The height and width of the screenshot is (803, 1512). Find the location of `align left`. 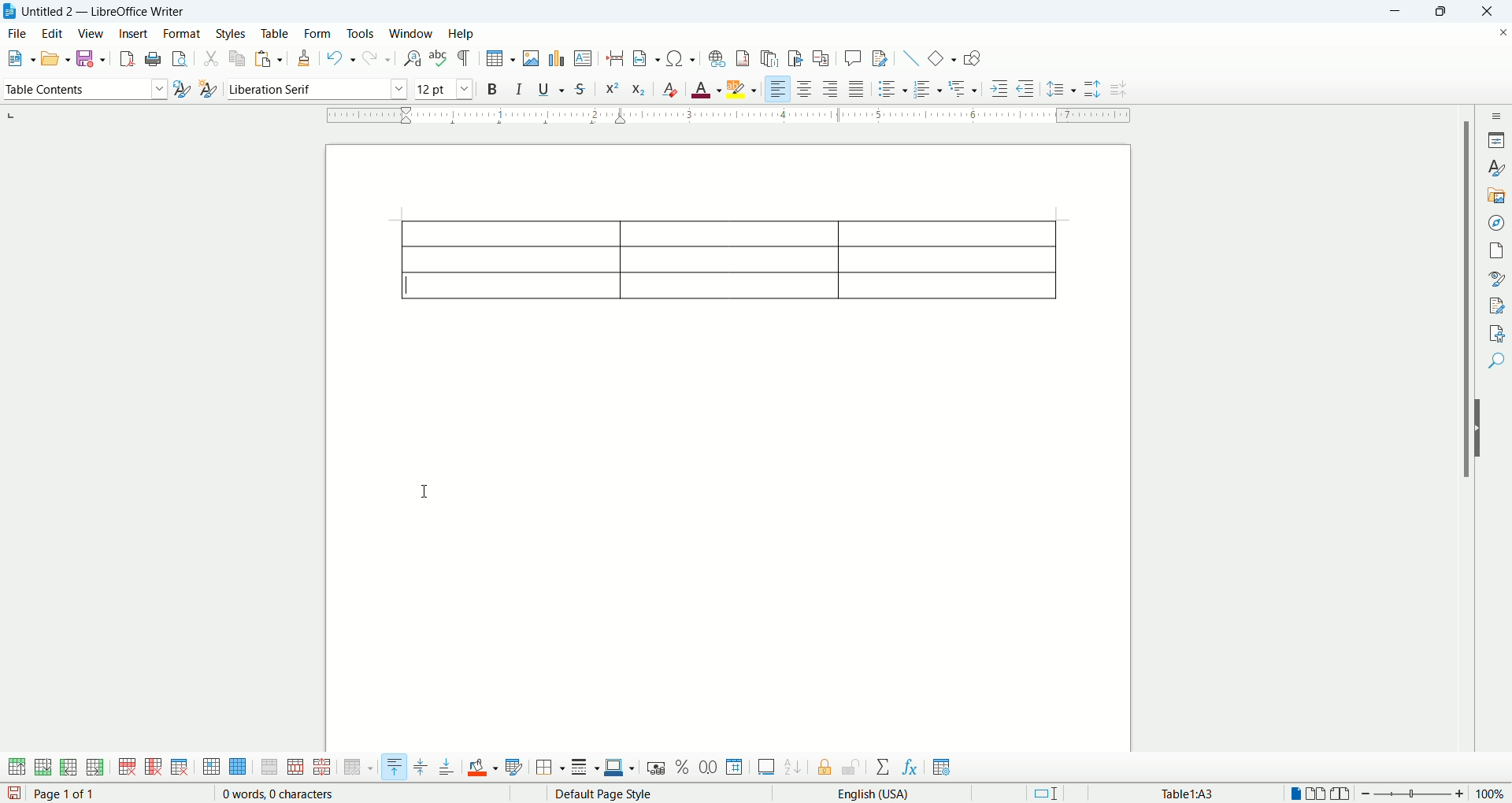

align left is located at coordinates (779, 87).